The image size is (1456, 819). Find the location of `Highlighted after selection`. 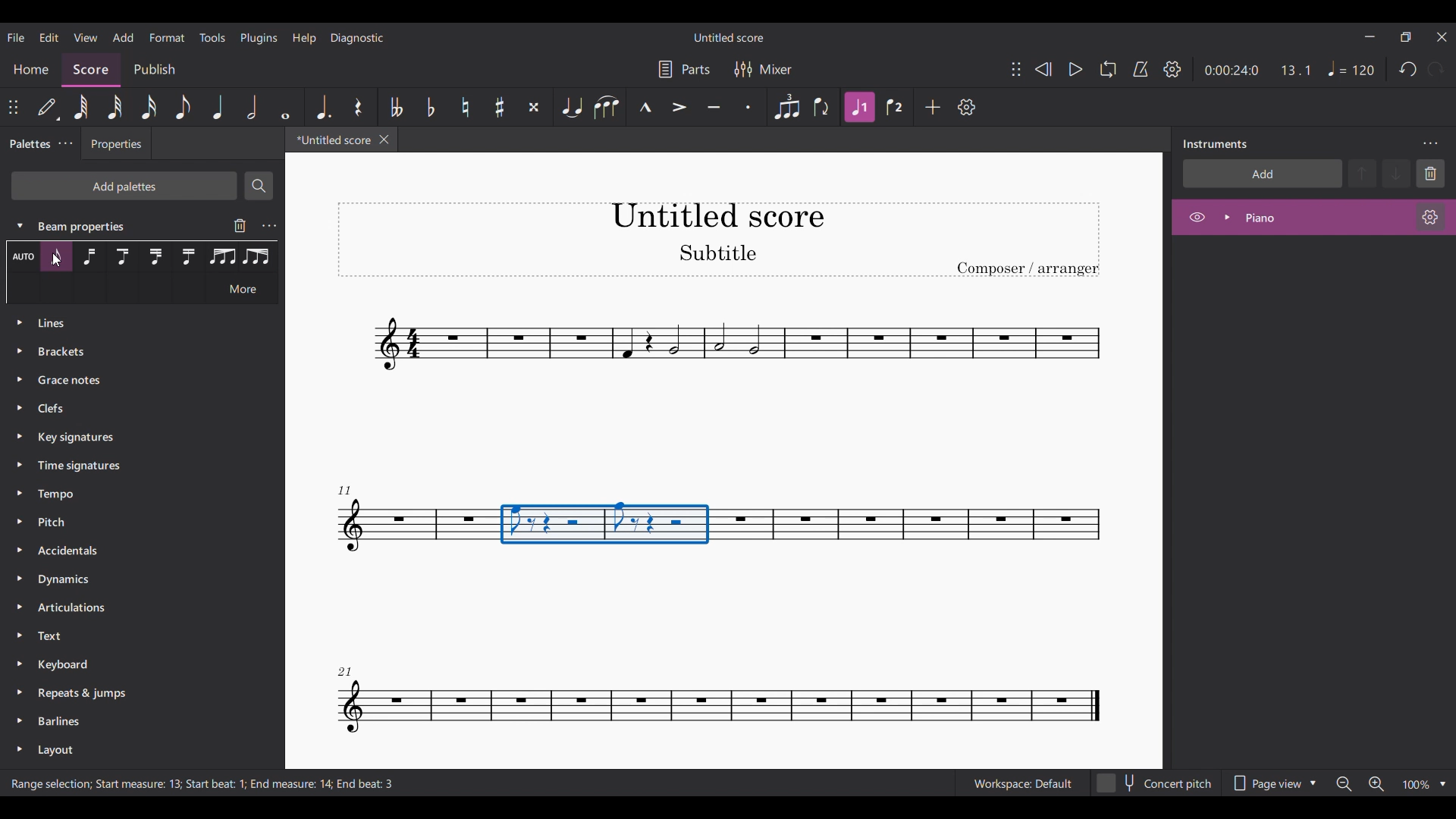

Highlighted after selection is located at coordinates (860, 107).